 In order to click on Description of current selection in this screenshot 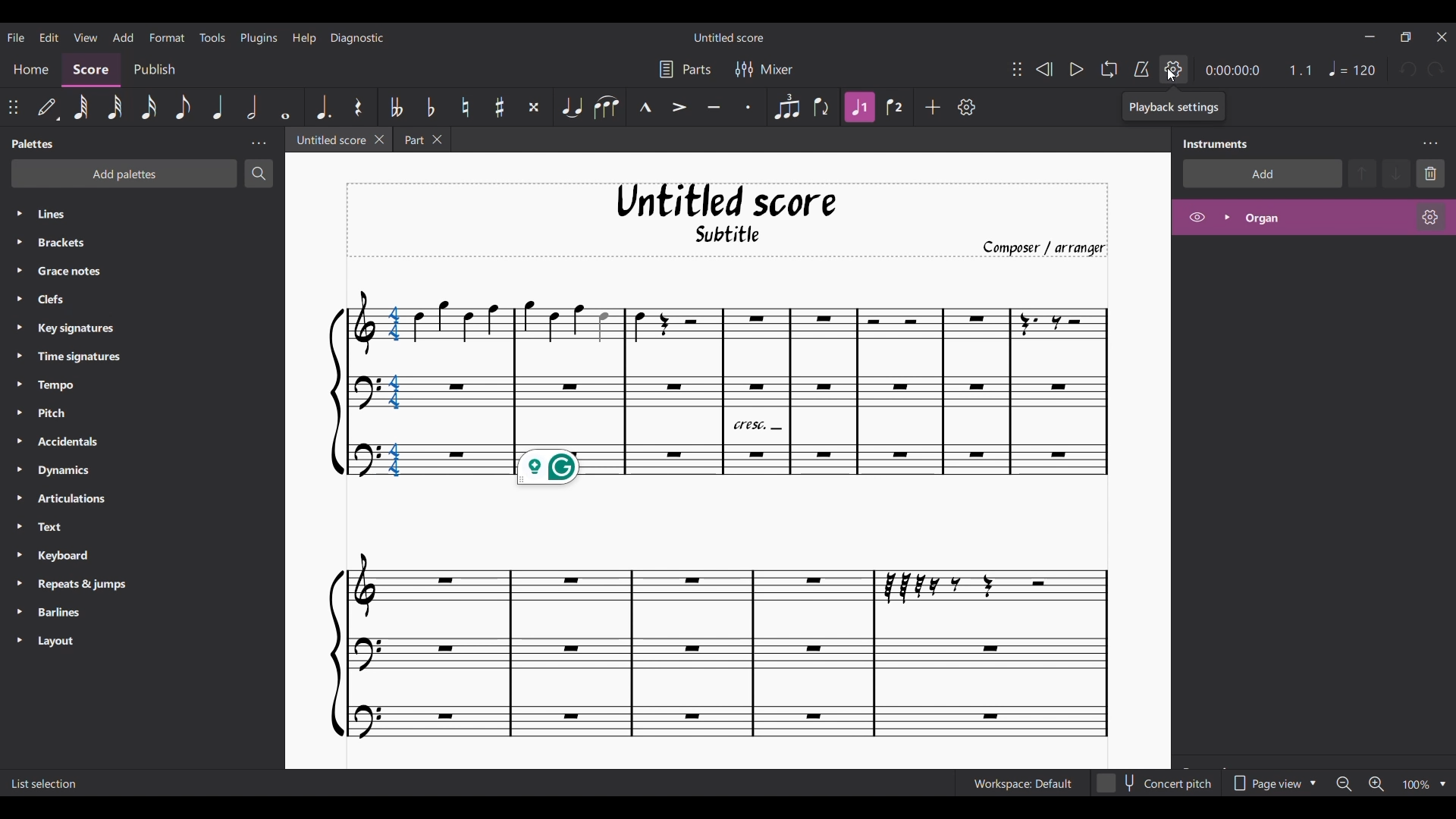, I will do `click(49, 783)`.